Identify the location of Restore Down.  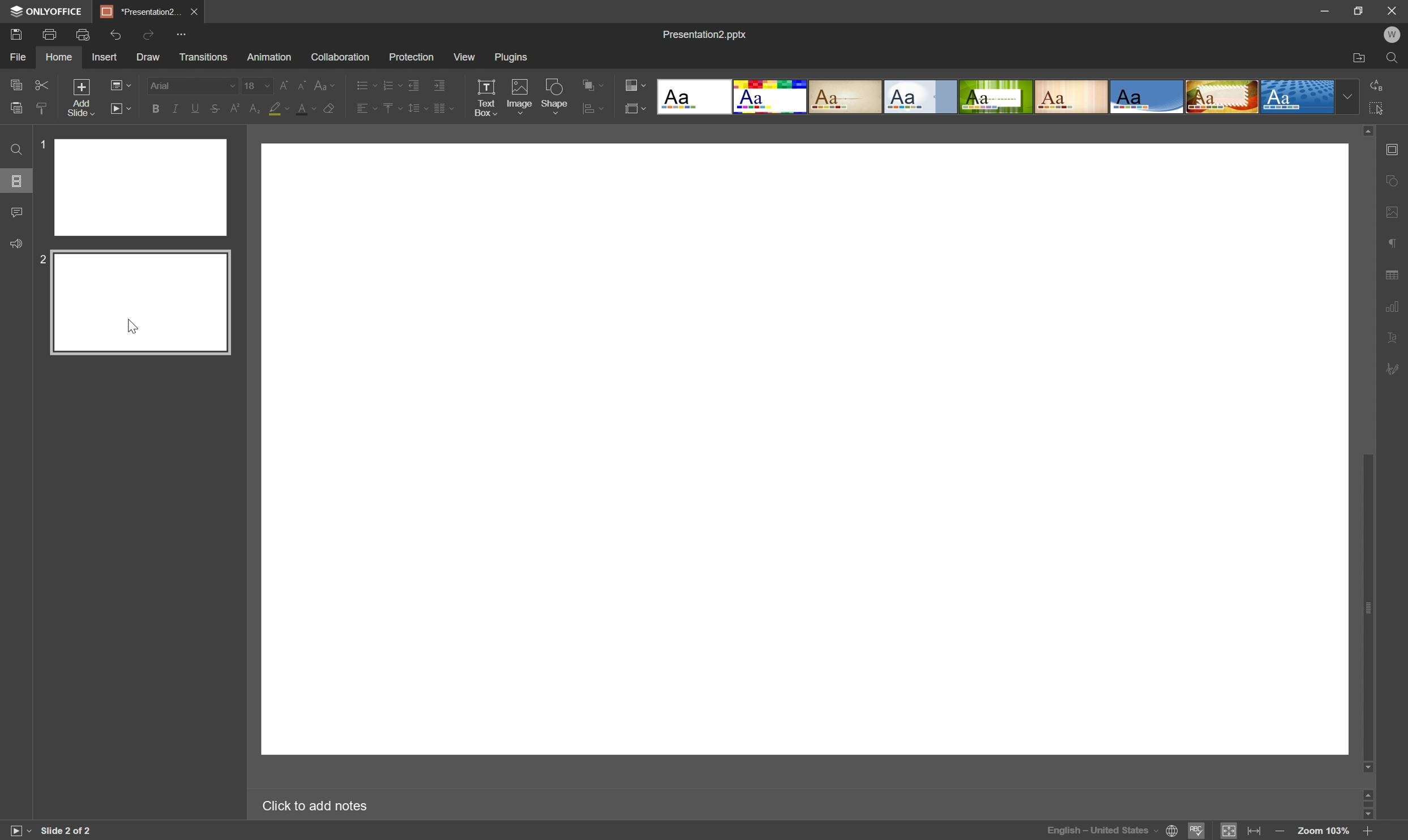
(1359, 11).